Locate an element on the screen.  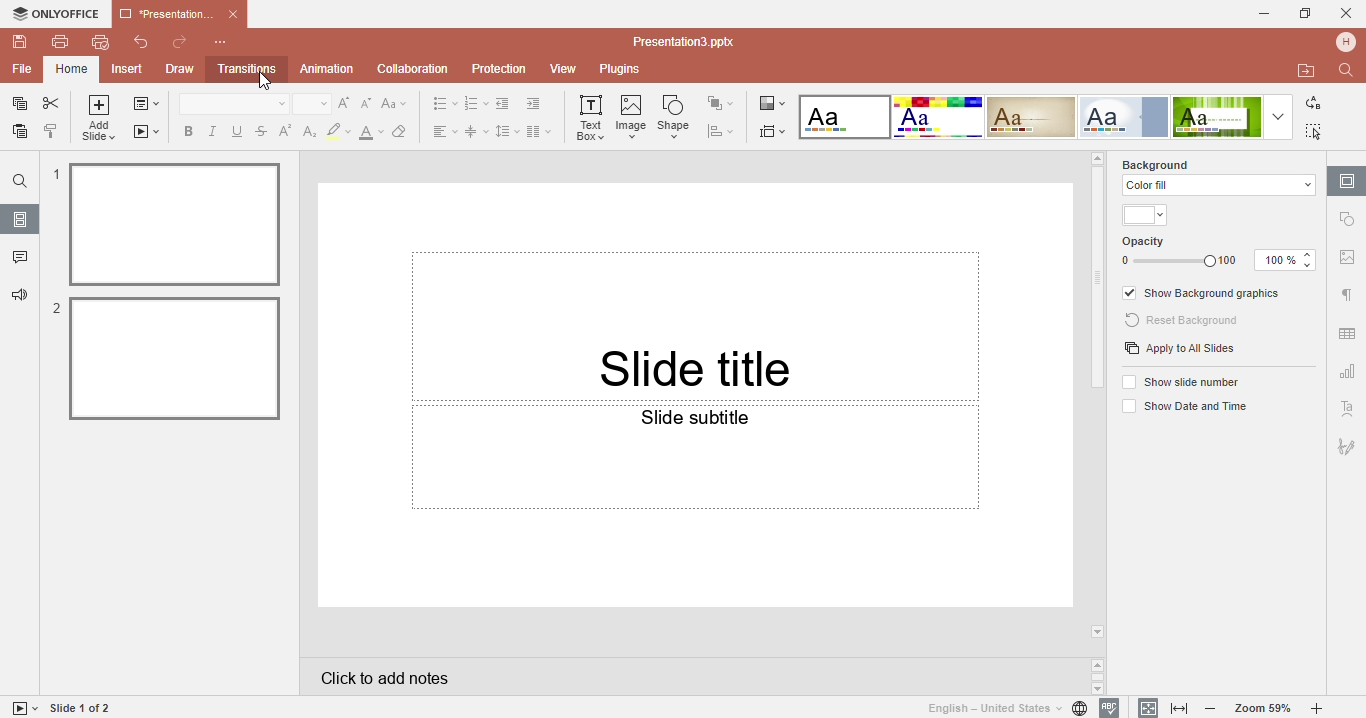
Change slide layout is located at coordinates (138, 105).